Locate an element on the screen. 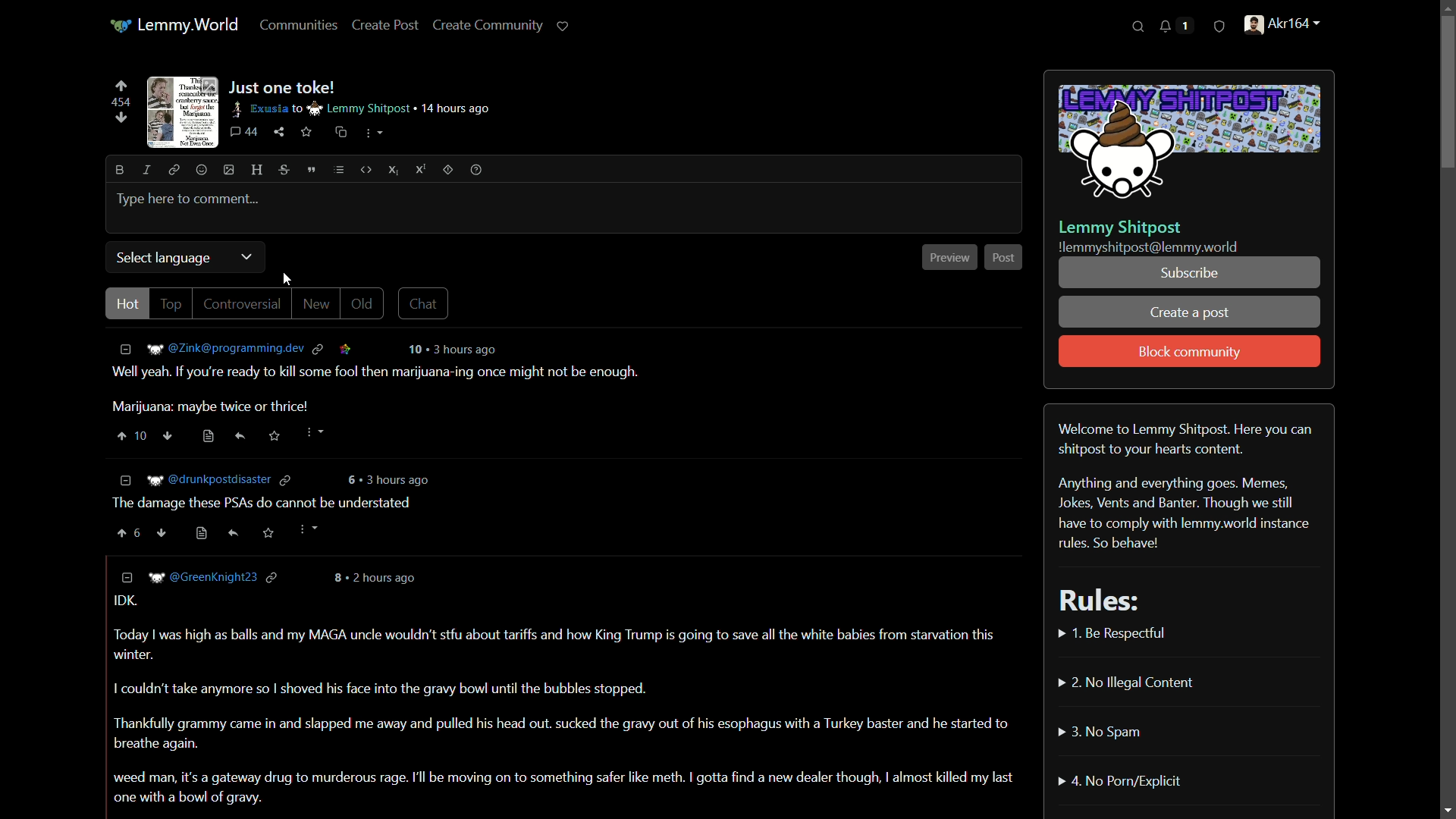 The width and height of the screenshot is (1456, 819). community icon is located at coordinates (1187, 140).